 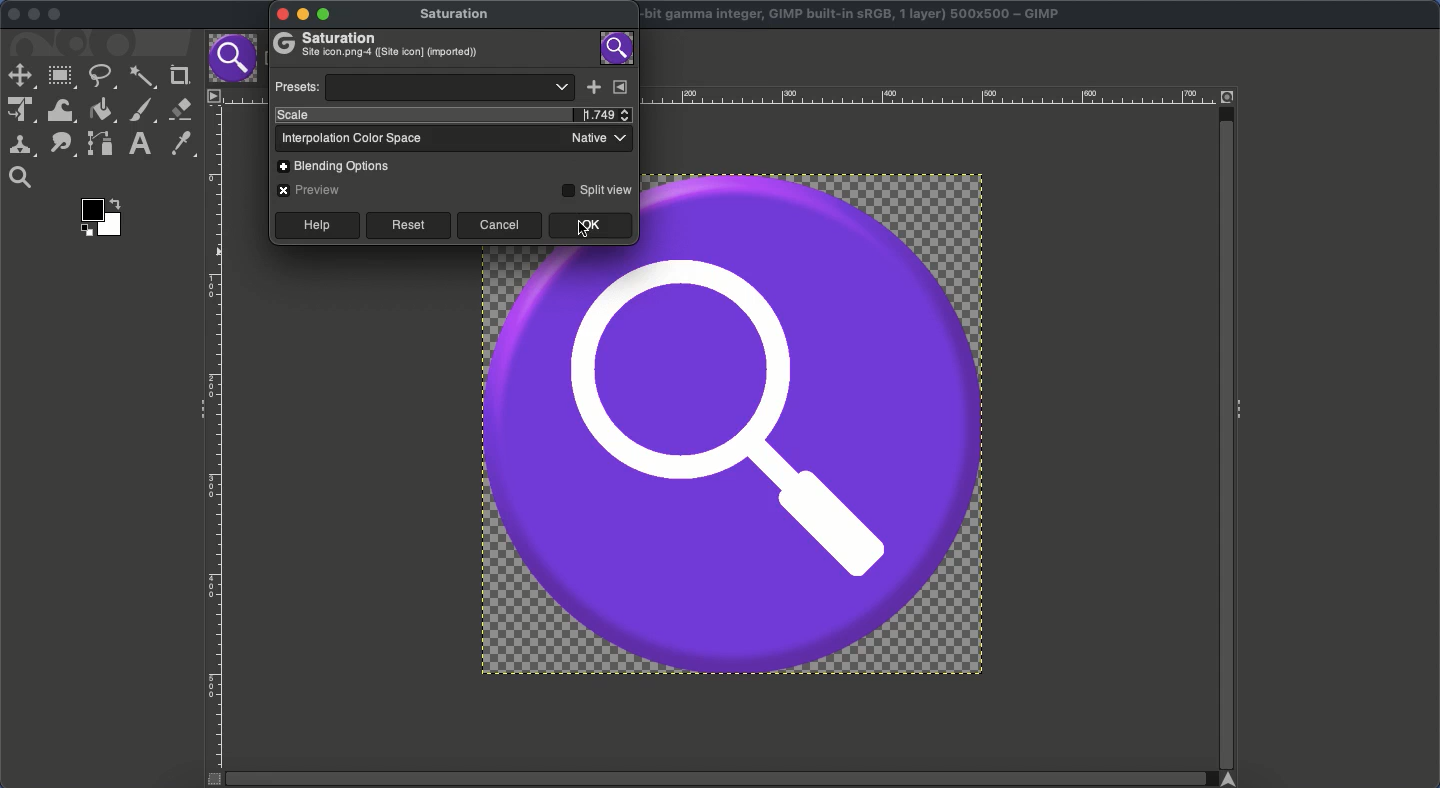 What do you see at coordinates (235, 59) in the screenshot?
I see `tab` at bounding box center [235, 59].